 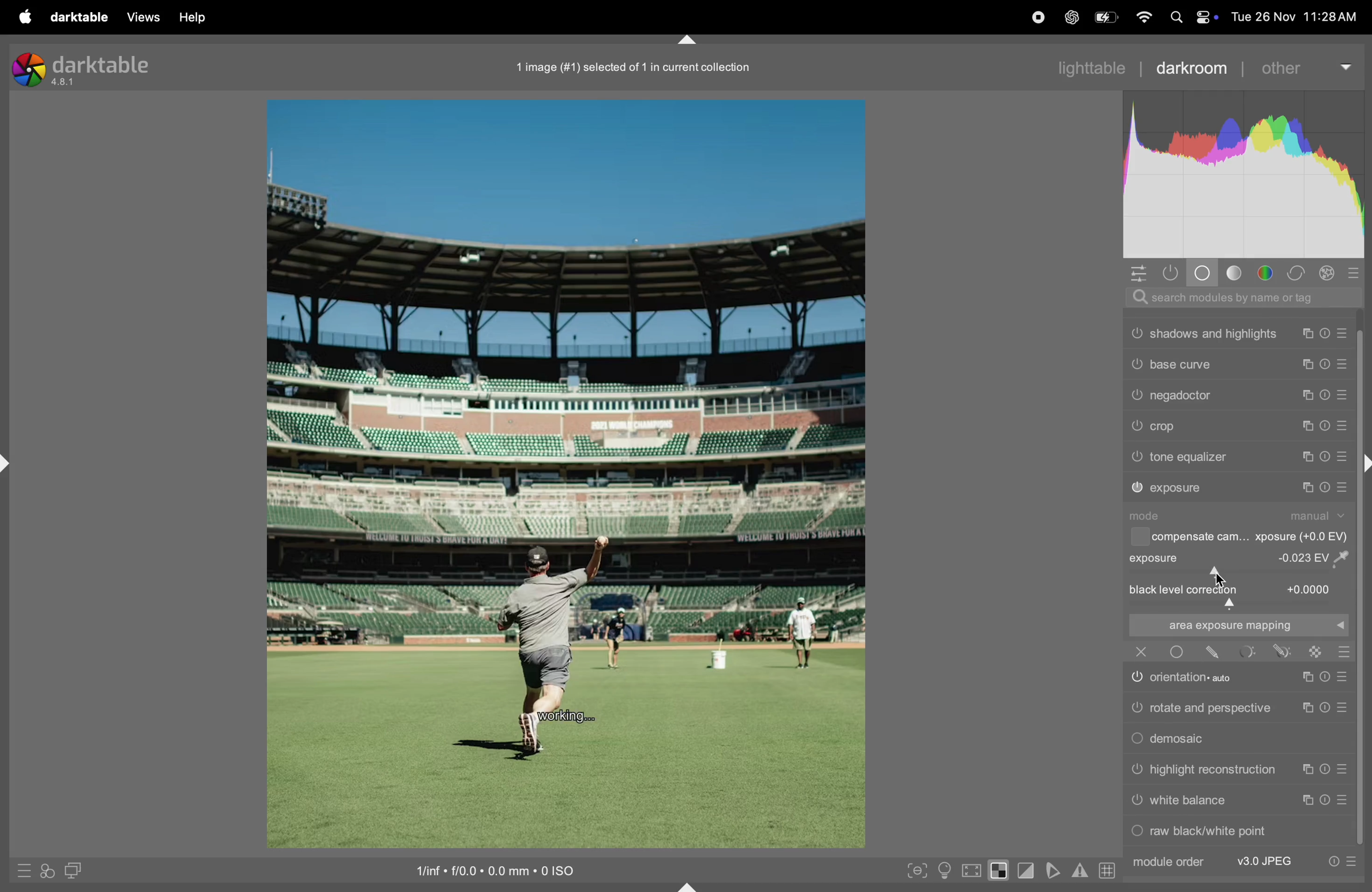 I want to click on version, so click(x=65, y=83).